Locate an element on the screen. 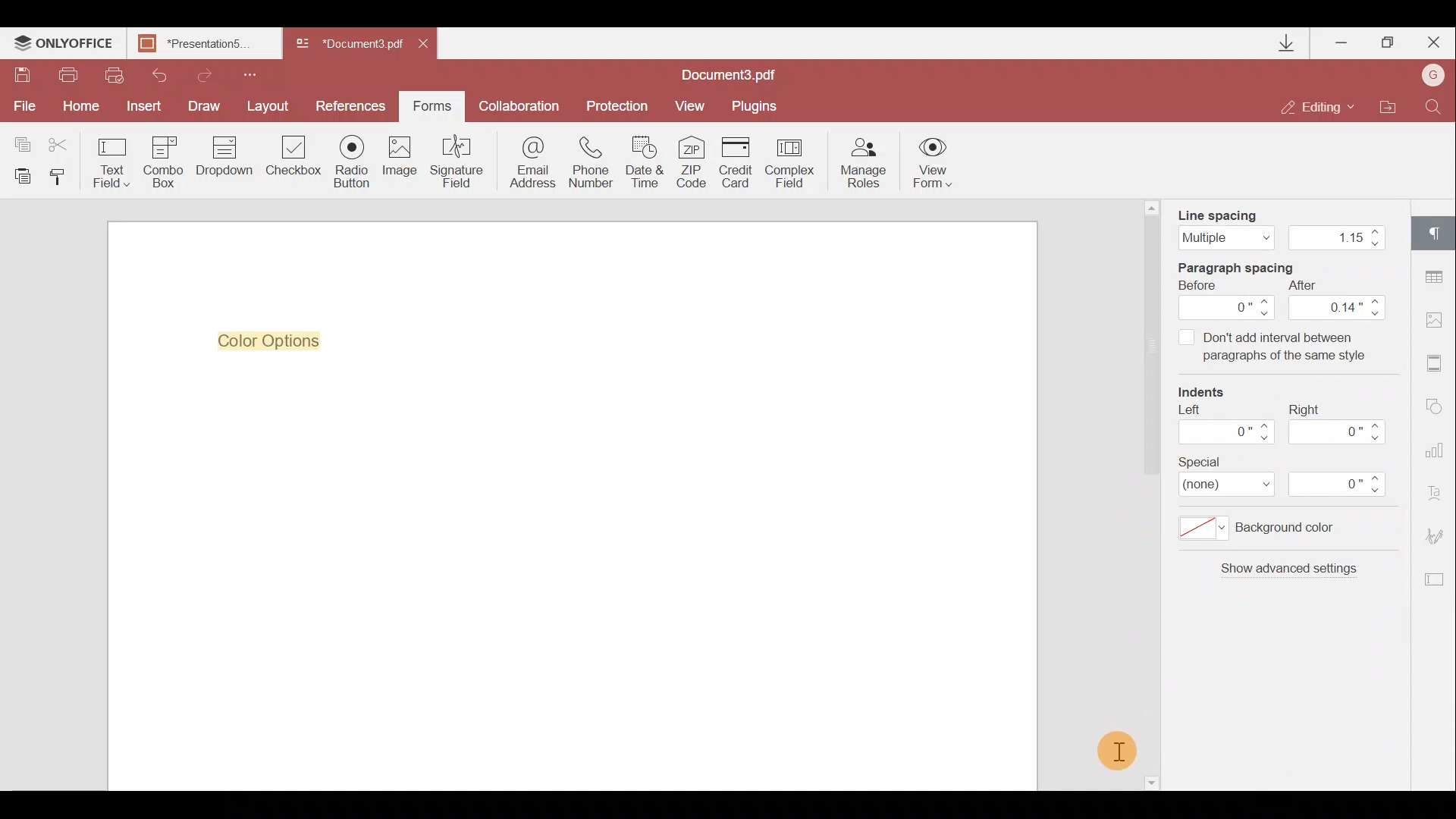 The height and width of the screenshot is (819, 1456). Working area is located at coordinates (570, 579).